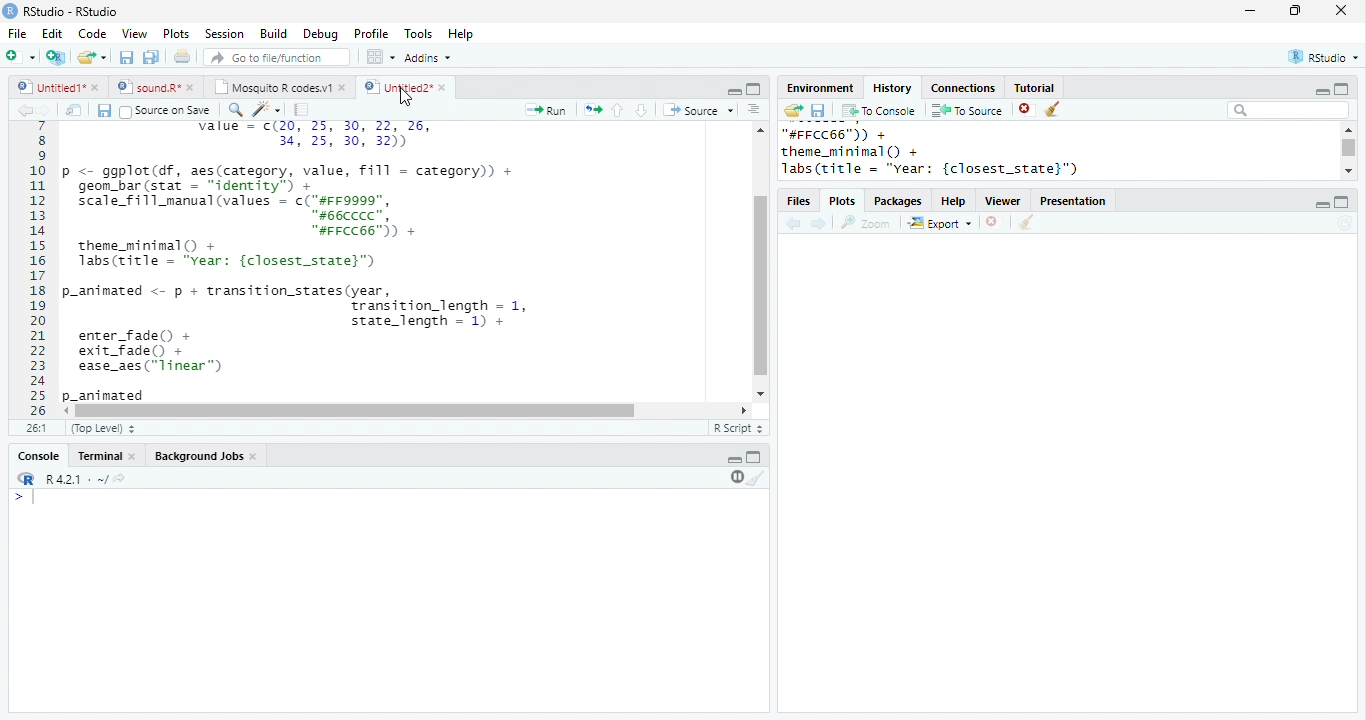  I want to click on value = c(20, 25, 30, 22, 26,
34, 25, 30, 32), so click(330, 137).